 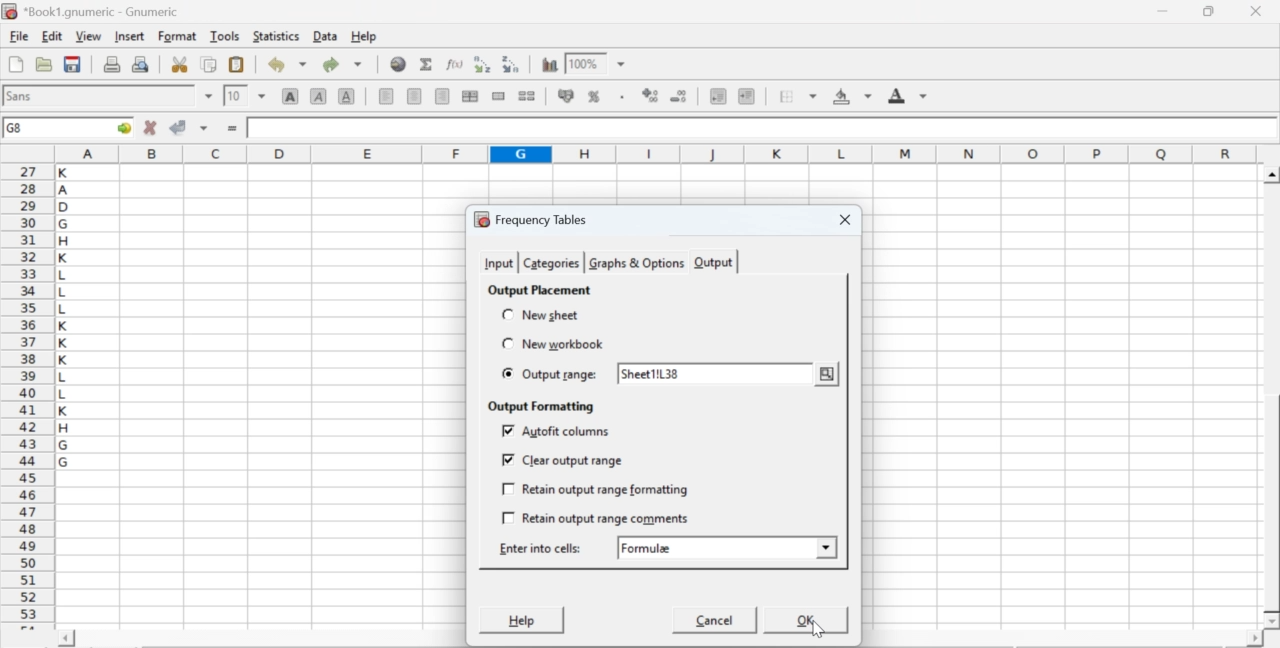 What do you see at coordinates (65, 393) in the screenshot?
I see `alphabets` at bounding box center [65, 393].